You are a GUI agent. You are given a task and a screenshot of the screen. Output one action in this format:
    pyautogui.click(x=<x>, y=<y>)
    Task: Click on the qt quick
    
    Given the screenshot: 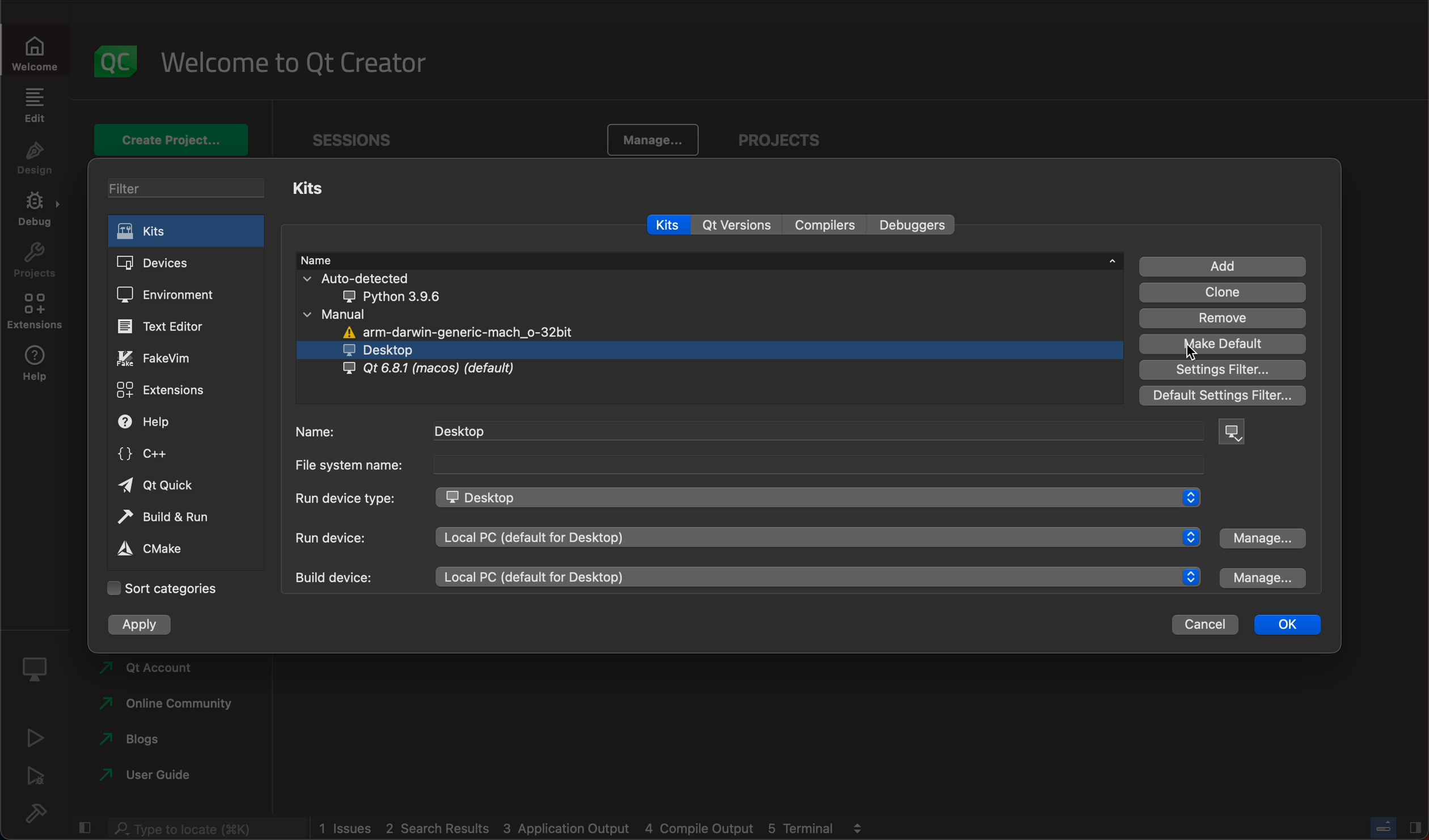 What is the action you would take?
    pyautogui.click(x=164, y=485)
    